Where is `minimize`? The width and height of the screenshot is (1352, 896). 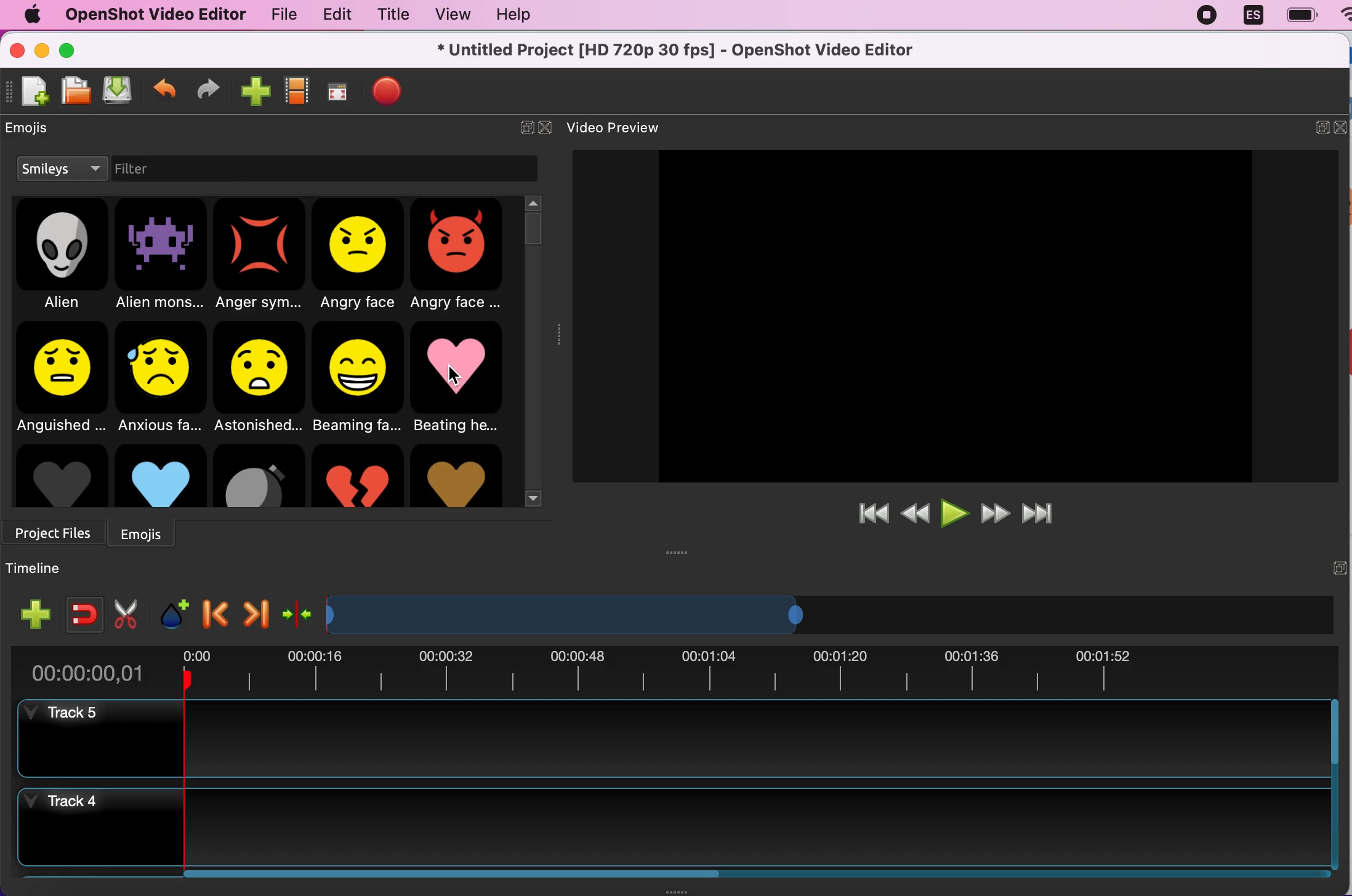
minimize is located at coordinates (43, 52).